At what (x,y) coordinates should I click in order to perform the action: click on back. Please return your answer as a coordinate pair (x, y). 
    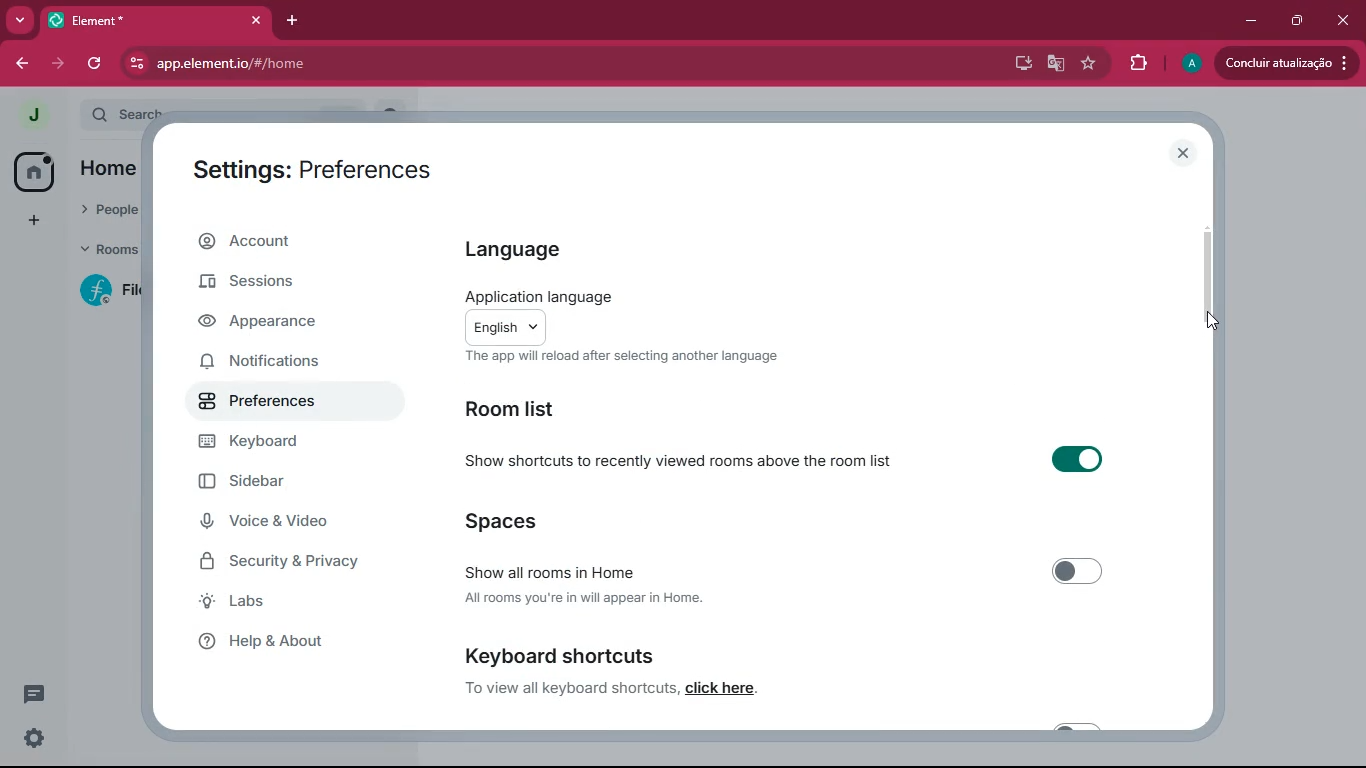
    Looking at the image, I should click on (22, 63).